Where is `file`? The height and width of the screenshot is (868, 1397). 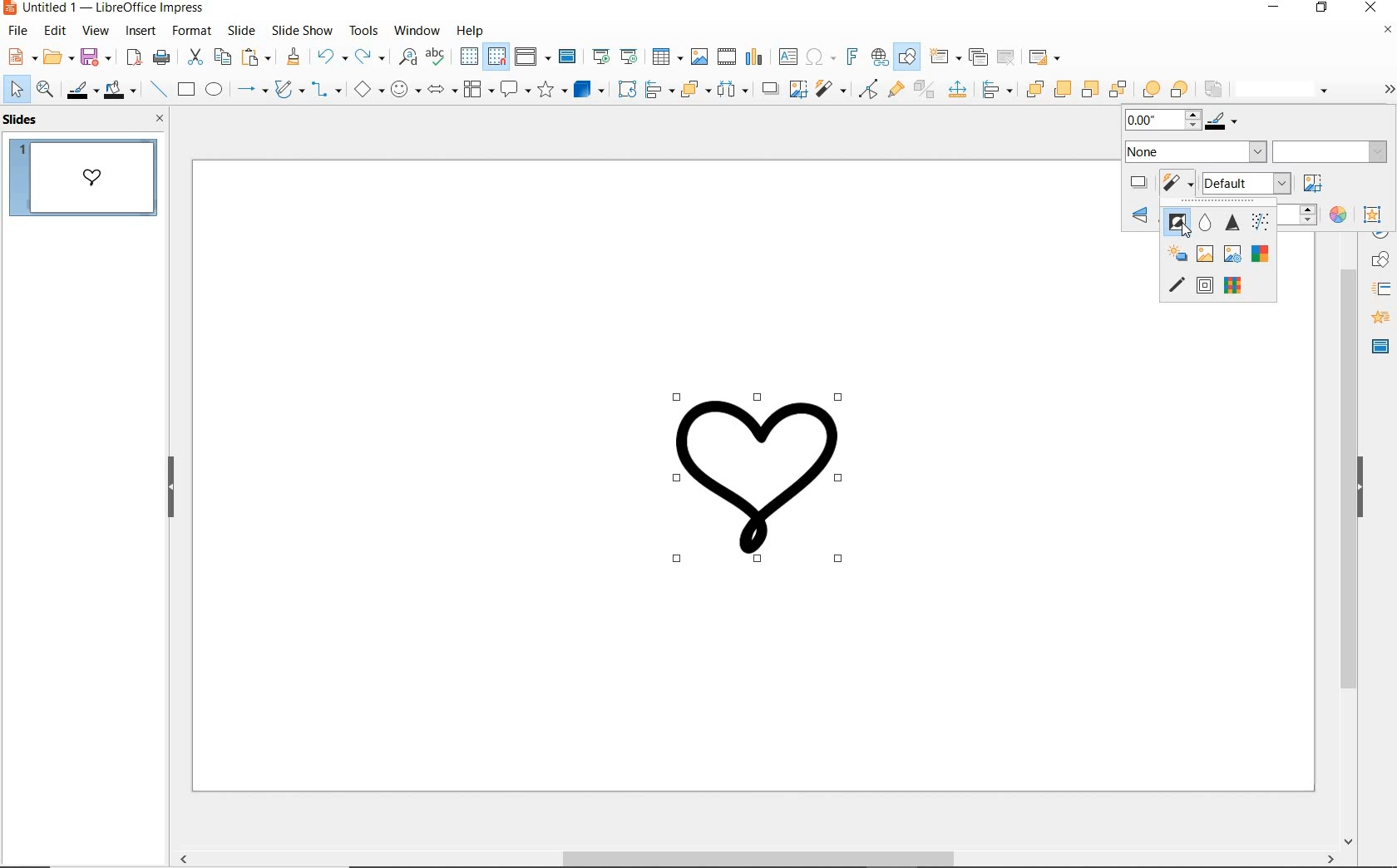 file is located at coordinates (17, 32).